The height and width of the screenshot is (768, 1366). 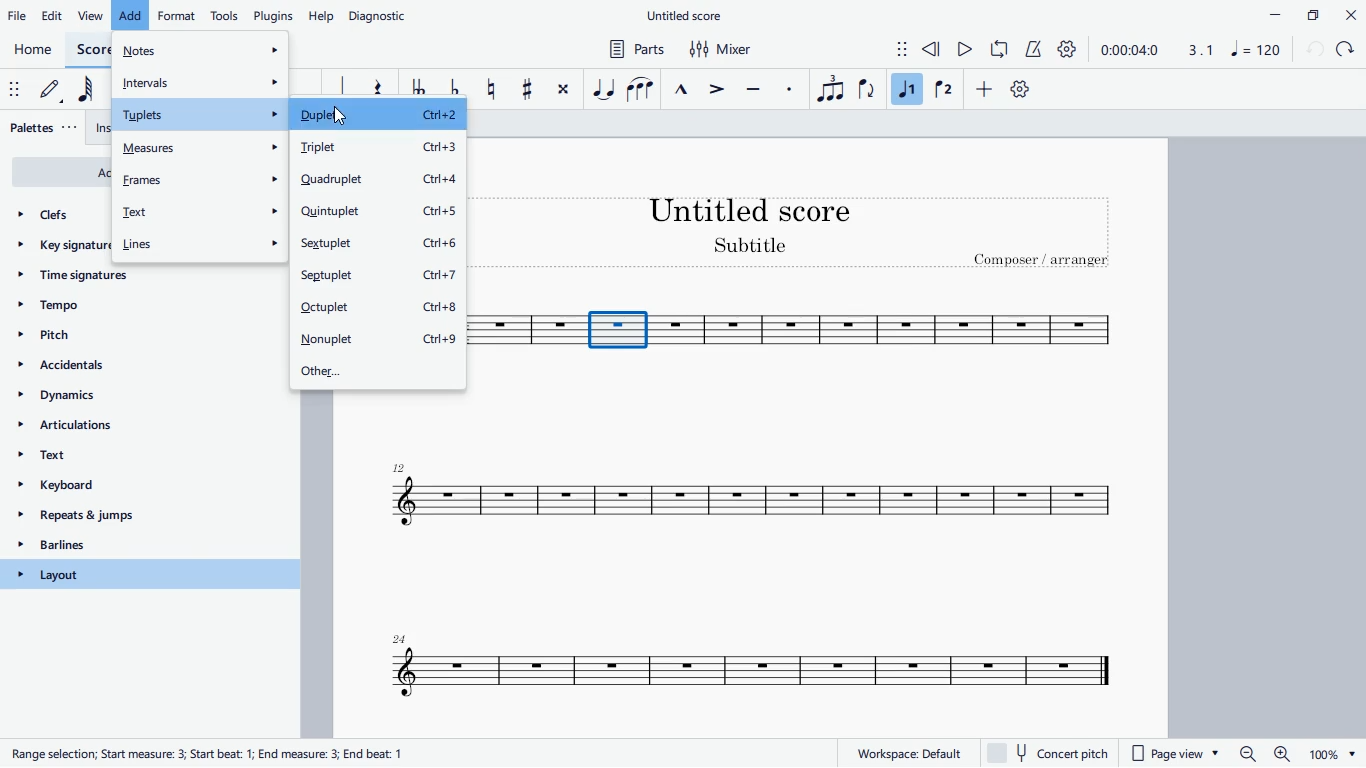 I want to click on toggle natural, so click(x=492, y=88).